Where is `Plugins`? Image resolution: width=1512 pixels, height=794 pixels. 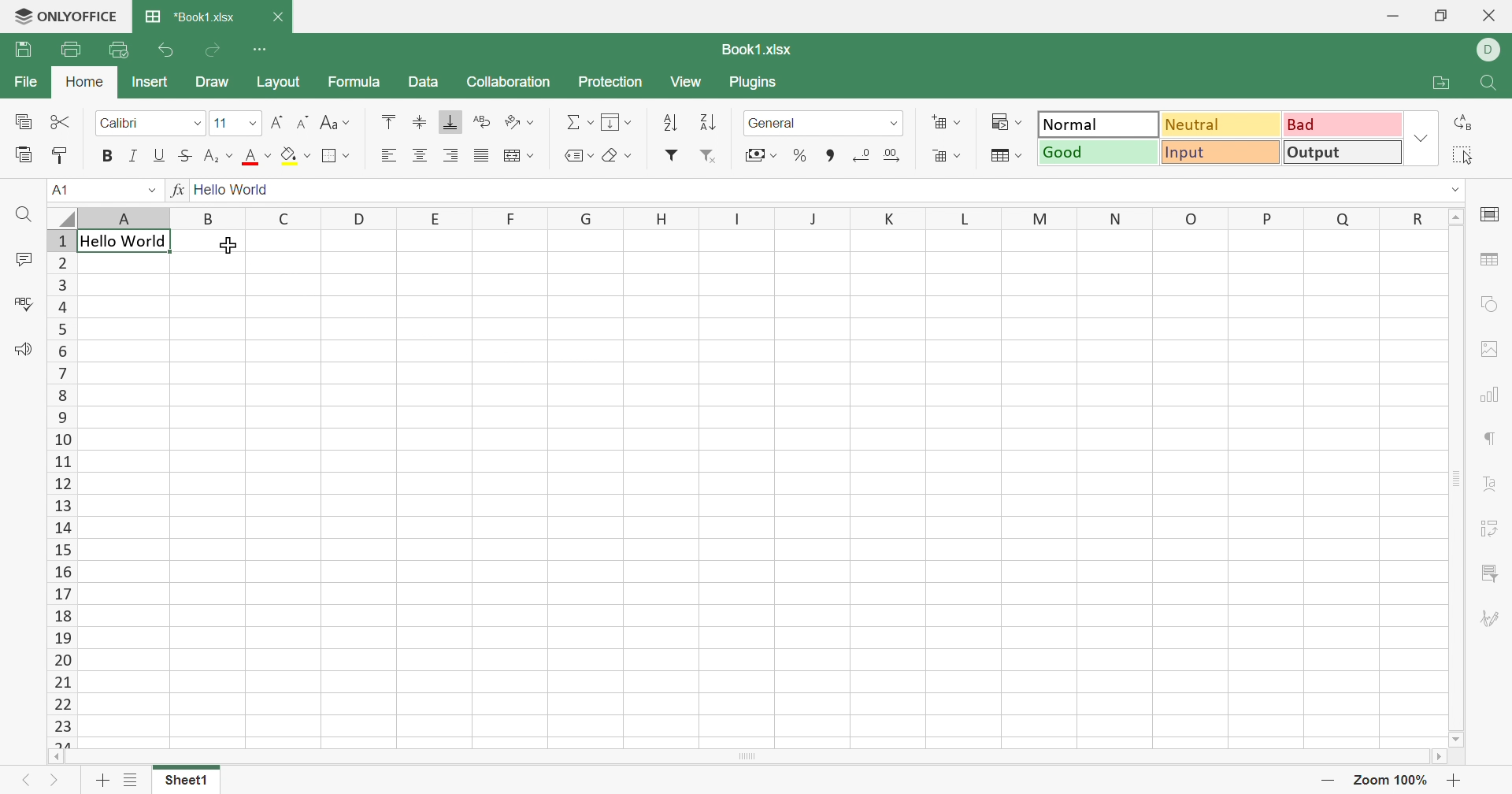 Plugins is located at coordinates (761, 82).